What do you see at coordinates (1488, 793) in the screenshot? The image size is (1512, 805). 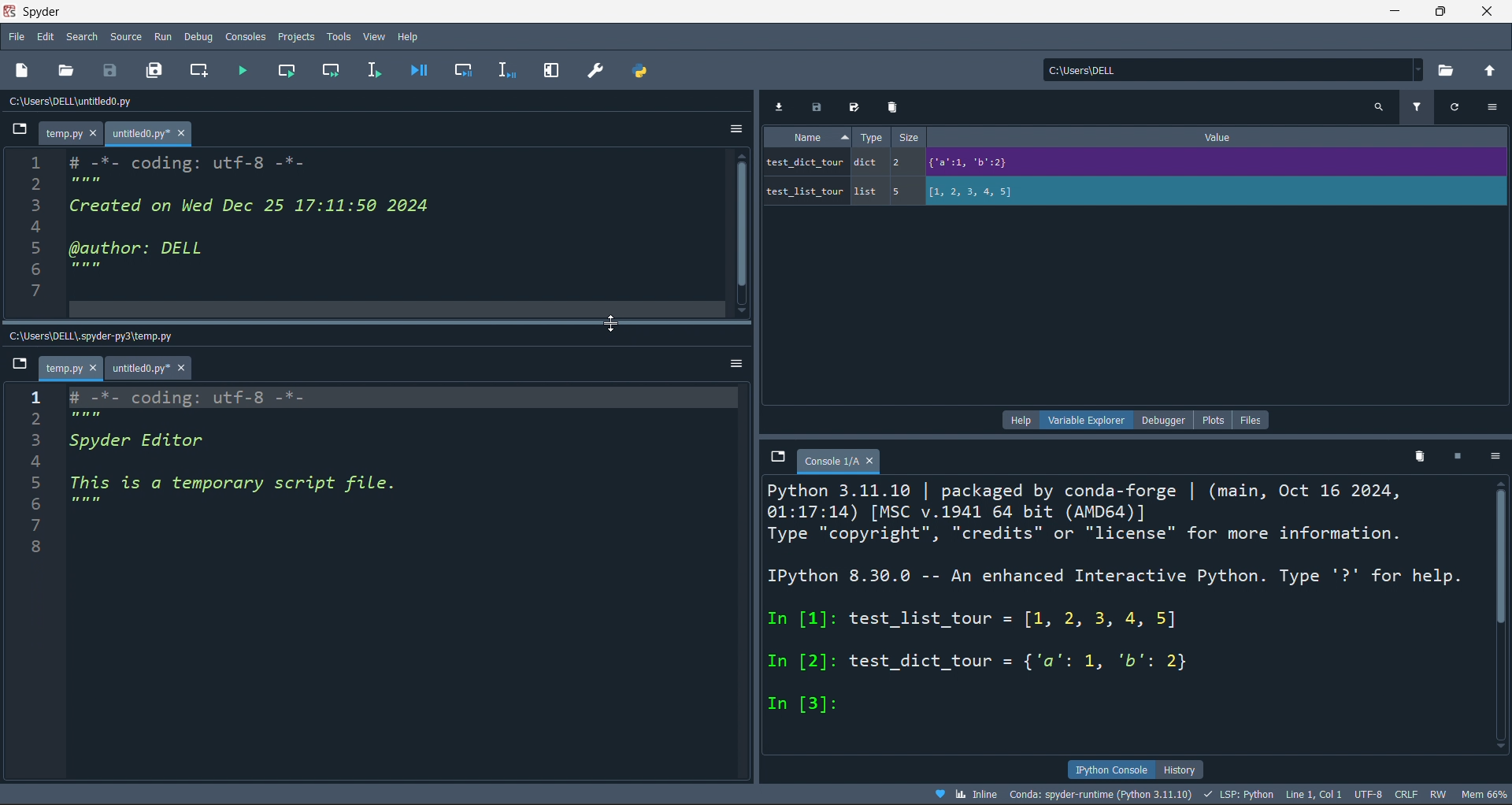 I see `MEM 64%` at bounding box center [1488, 793].